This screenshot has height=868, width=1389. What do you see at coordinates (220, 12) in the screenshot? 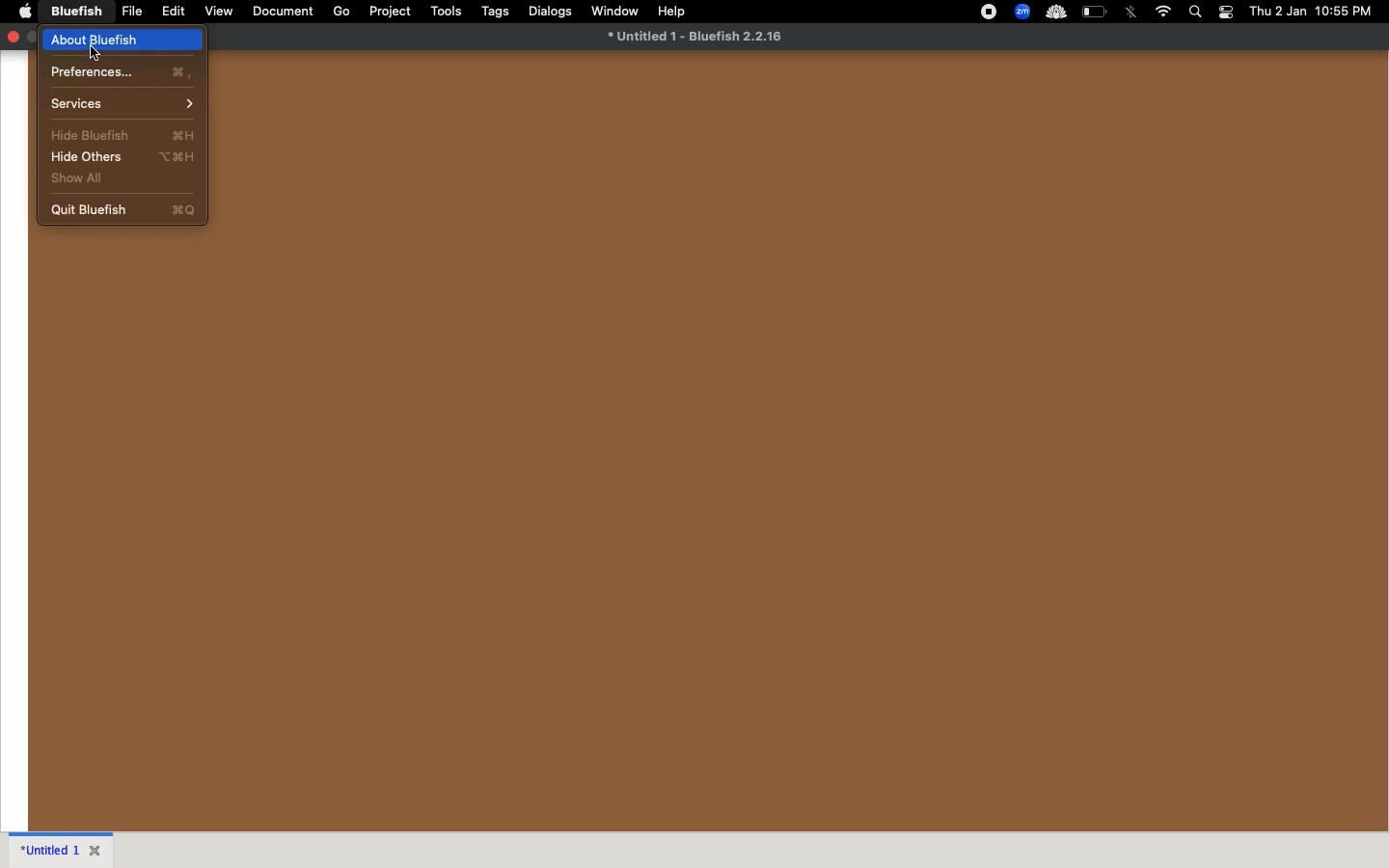
I see `view` at bounding box center [220, 12].